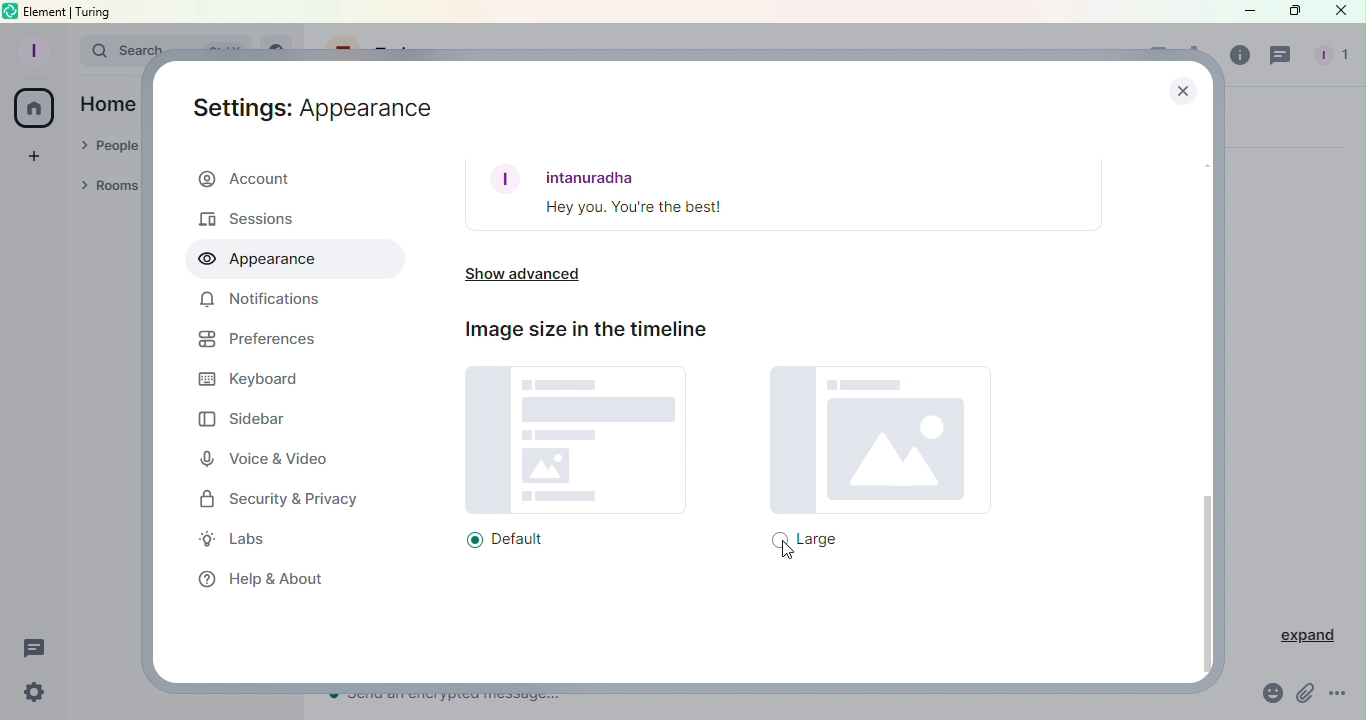 This screenshot has width=1366, height=720. Describe the element at coordinates (108, 103) in the screenshot. I see `Home` at that location.